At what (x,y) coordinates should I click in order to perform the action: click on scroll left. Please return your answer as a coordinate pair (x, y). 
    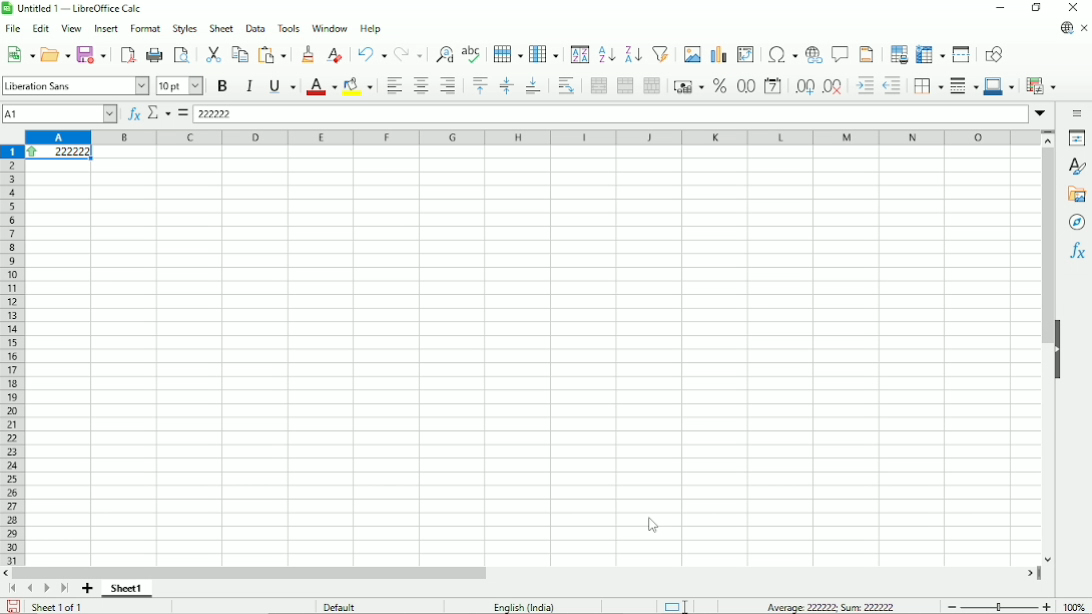
    Looking at the image, I should click on (8, 573).